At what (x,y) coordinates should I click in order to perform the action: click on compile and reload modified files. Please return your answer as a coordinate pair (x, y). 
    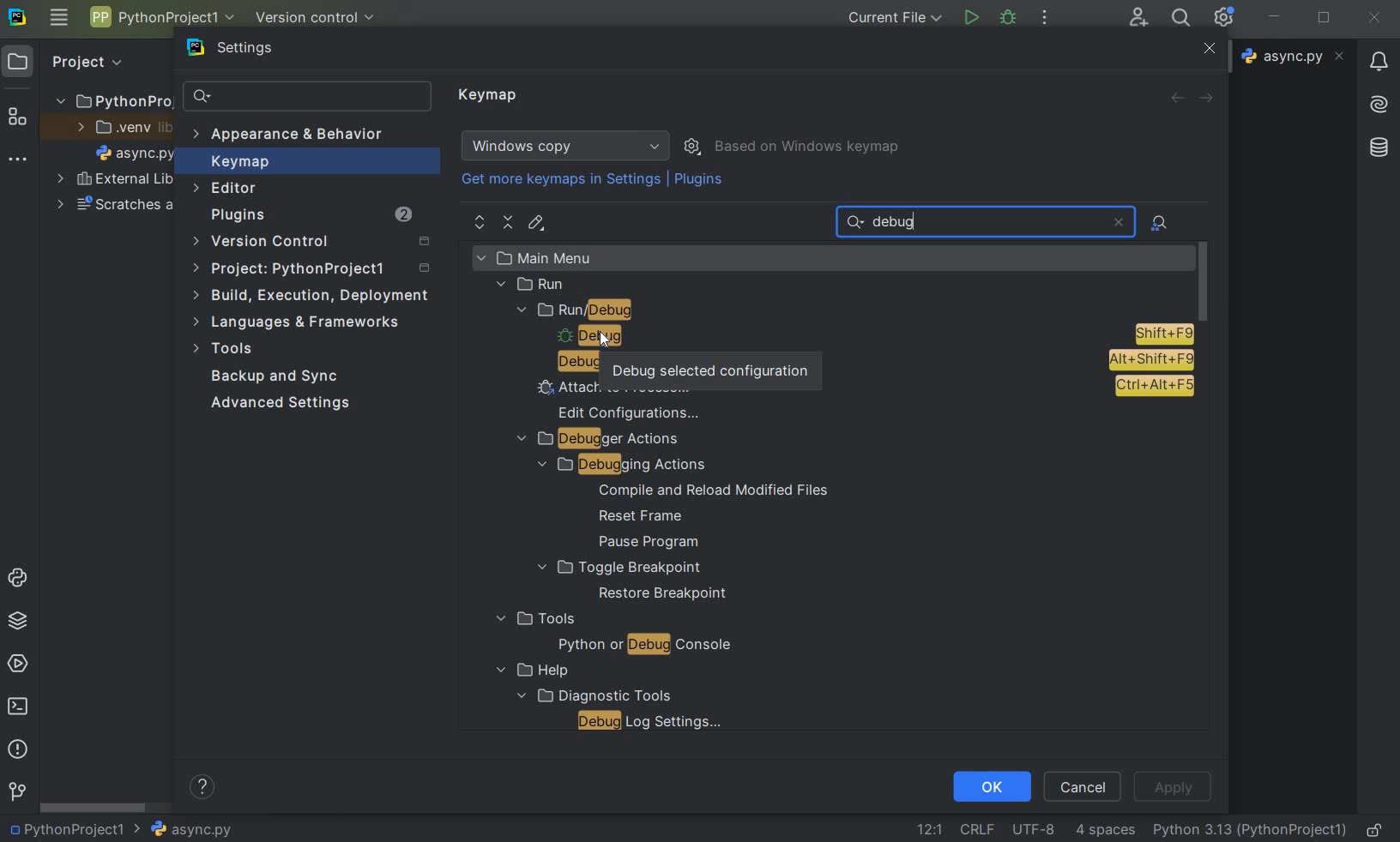
    Looking at the image, I should click on (714, 490).